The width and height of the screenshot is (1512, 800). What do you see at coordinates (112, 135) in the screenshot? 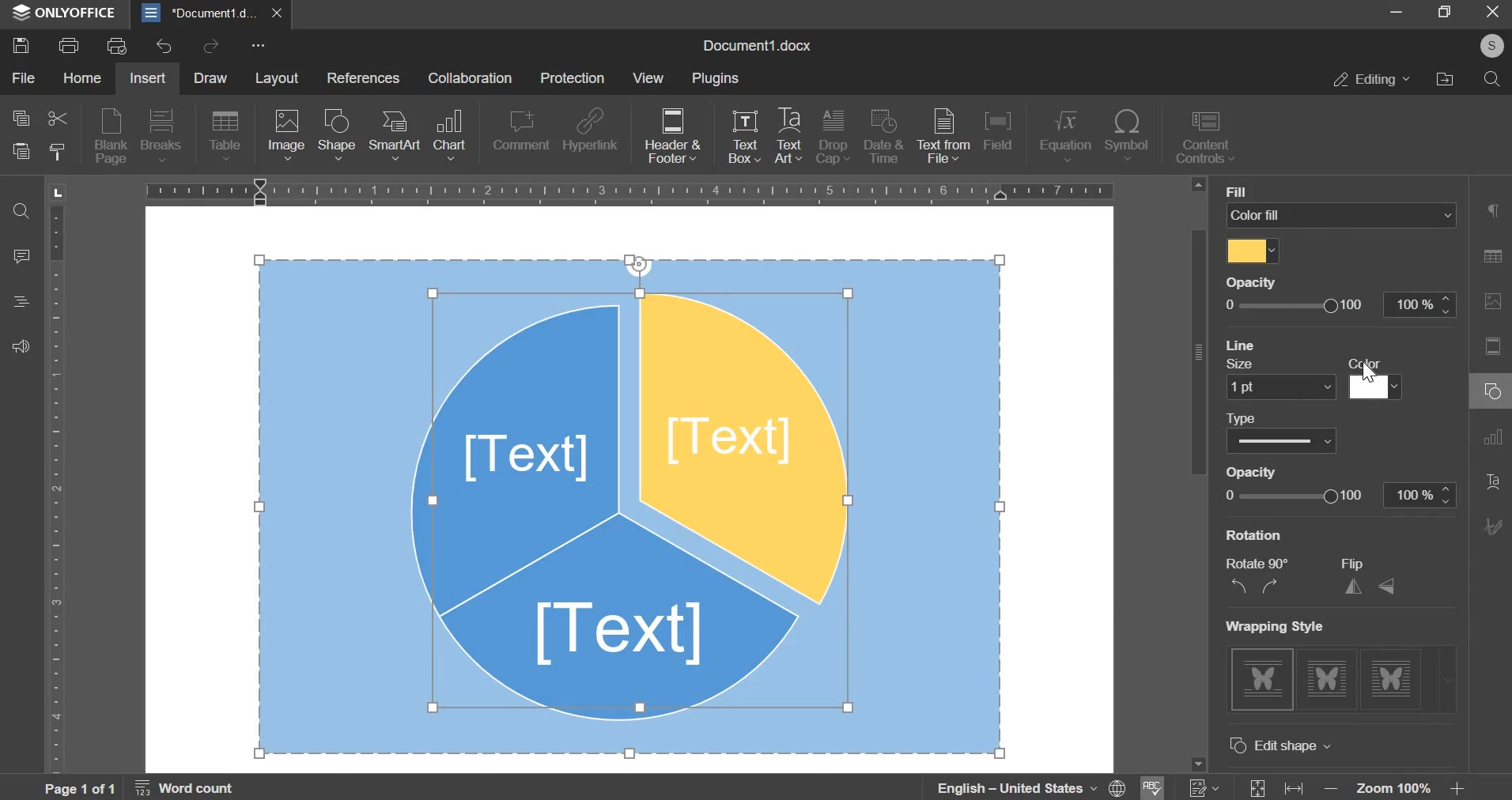
I see `blank page` at bounding box center [112, 135].